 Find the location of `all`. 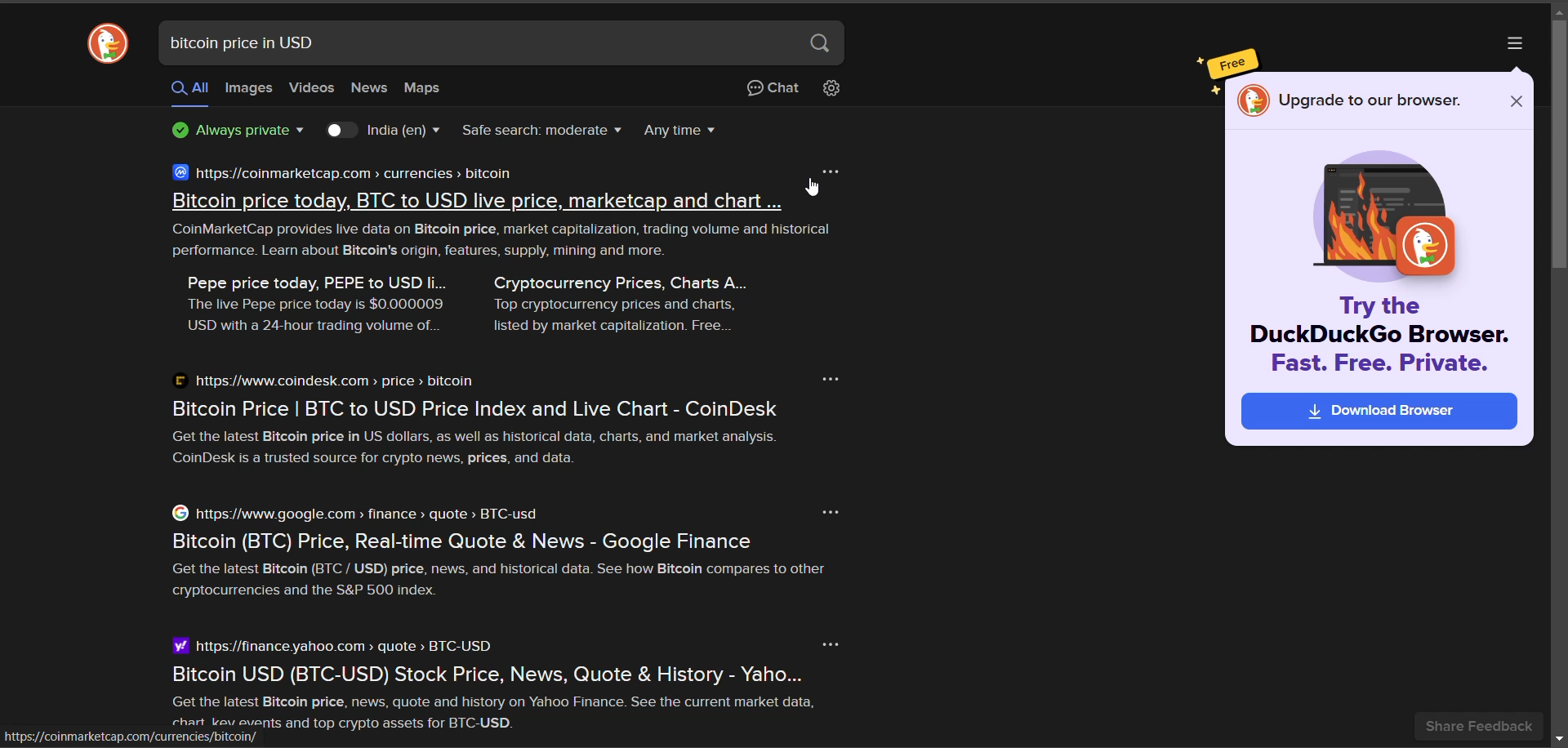

all is located at coordinates (184, 91).